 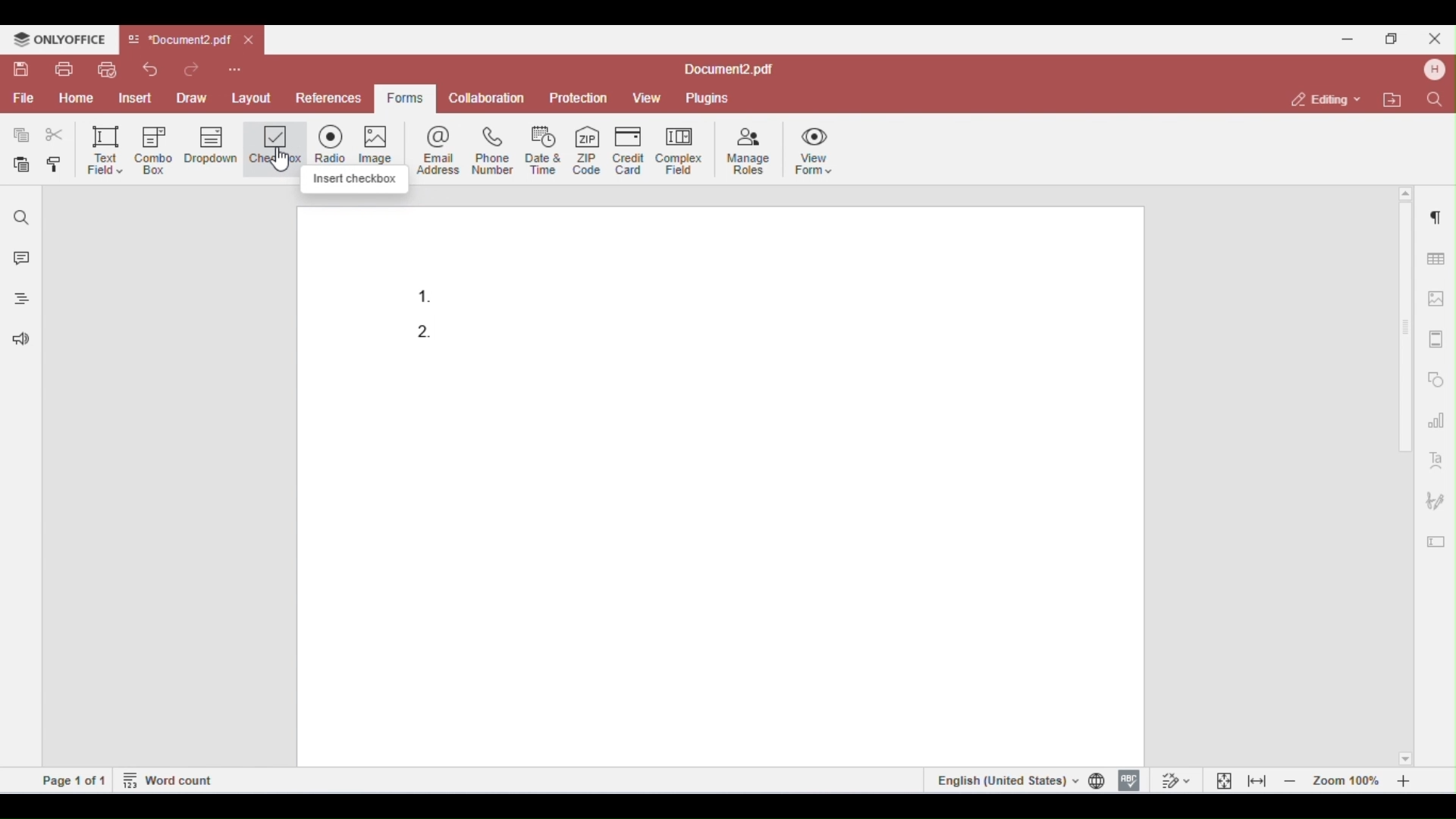 I want to click on open file location, so click(x=1395, y=101).